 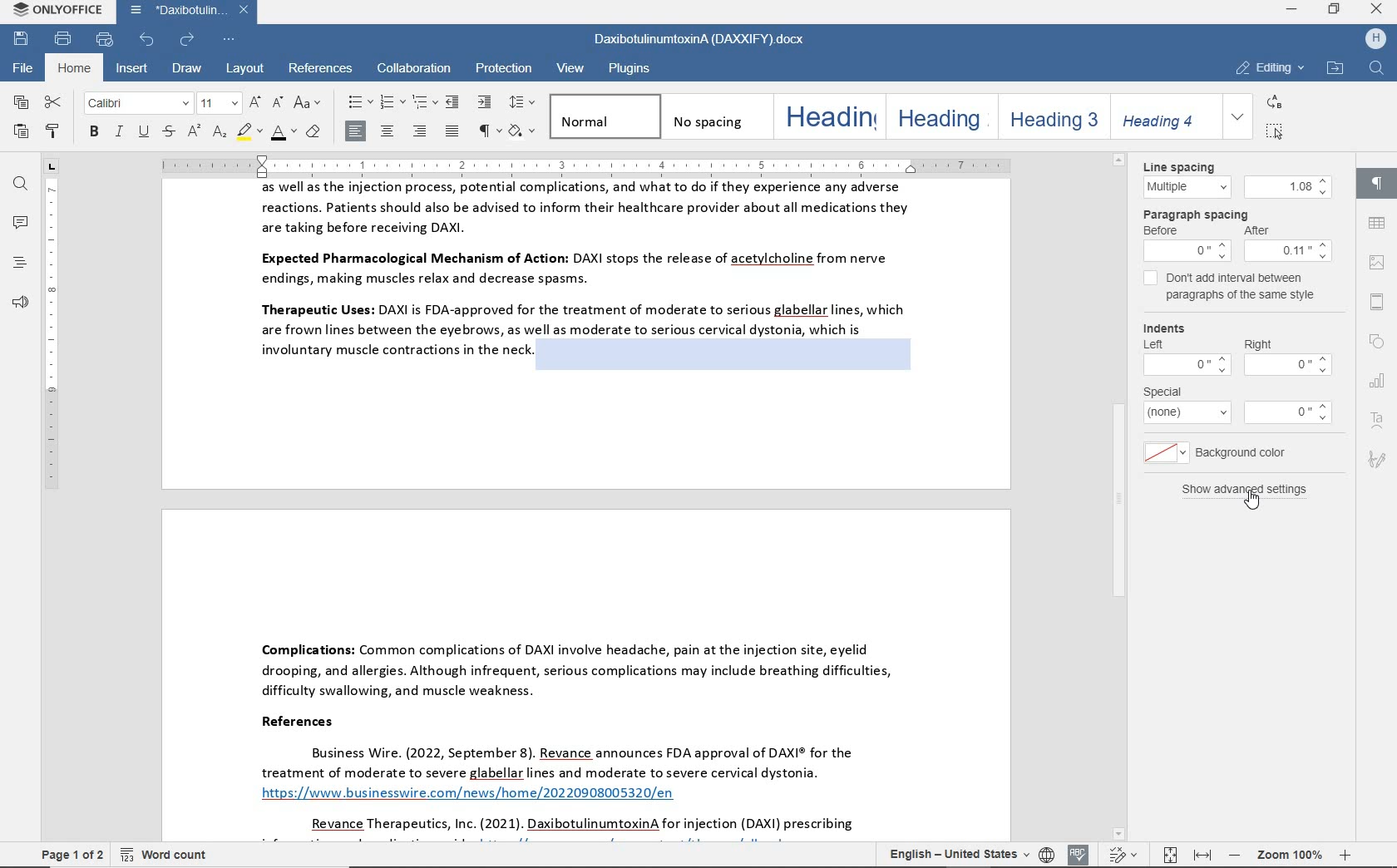 What do you see at coordinates (1375, 180) in the screenshot?
I see `paragraph settings` at bounding box center [1375, 180].